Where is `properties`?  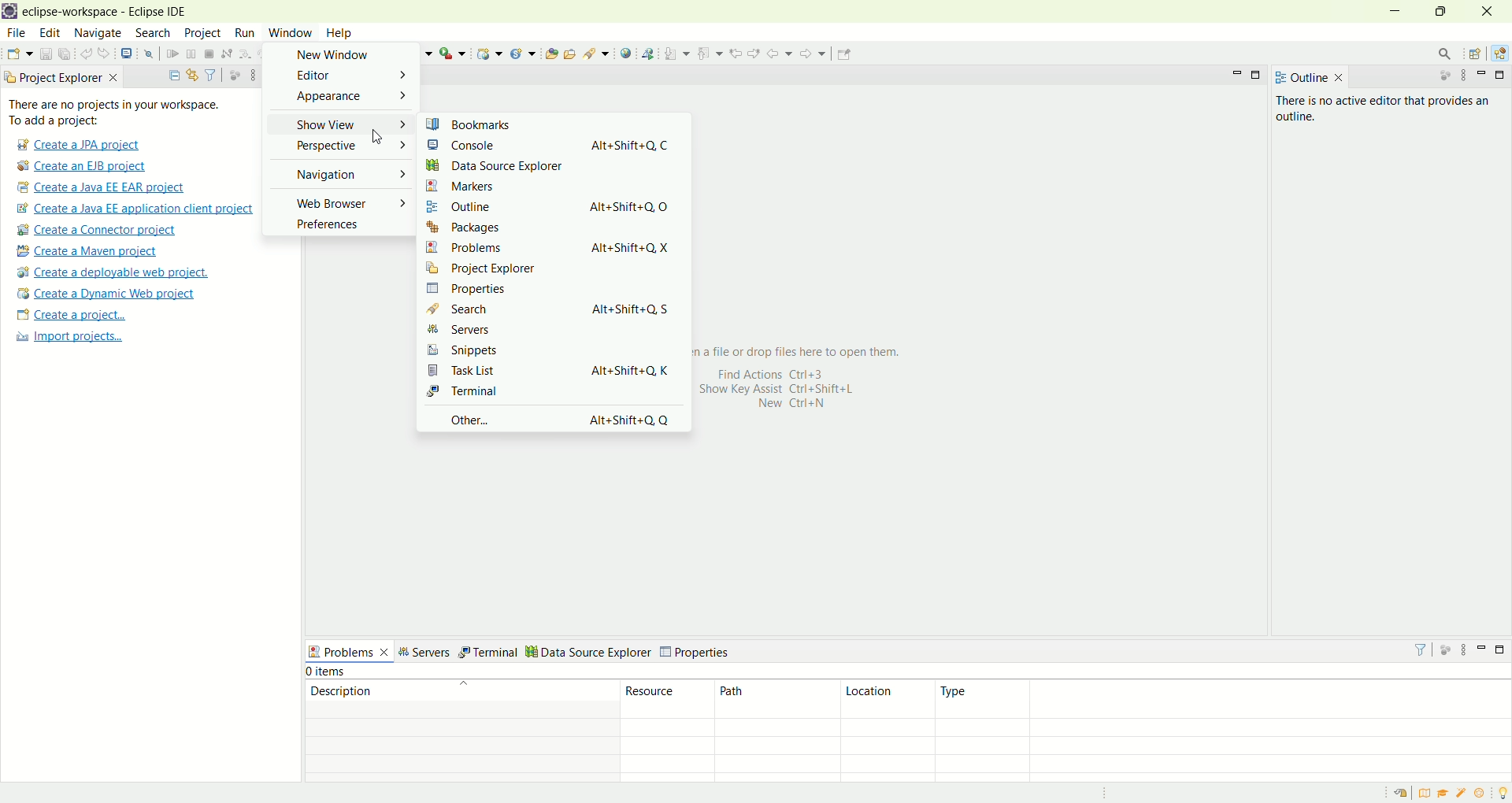
properties is located at coordinates (480, 290).